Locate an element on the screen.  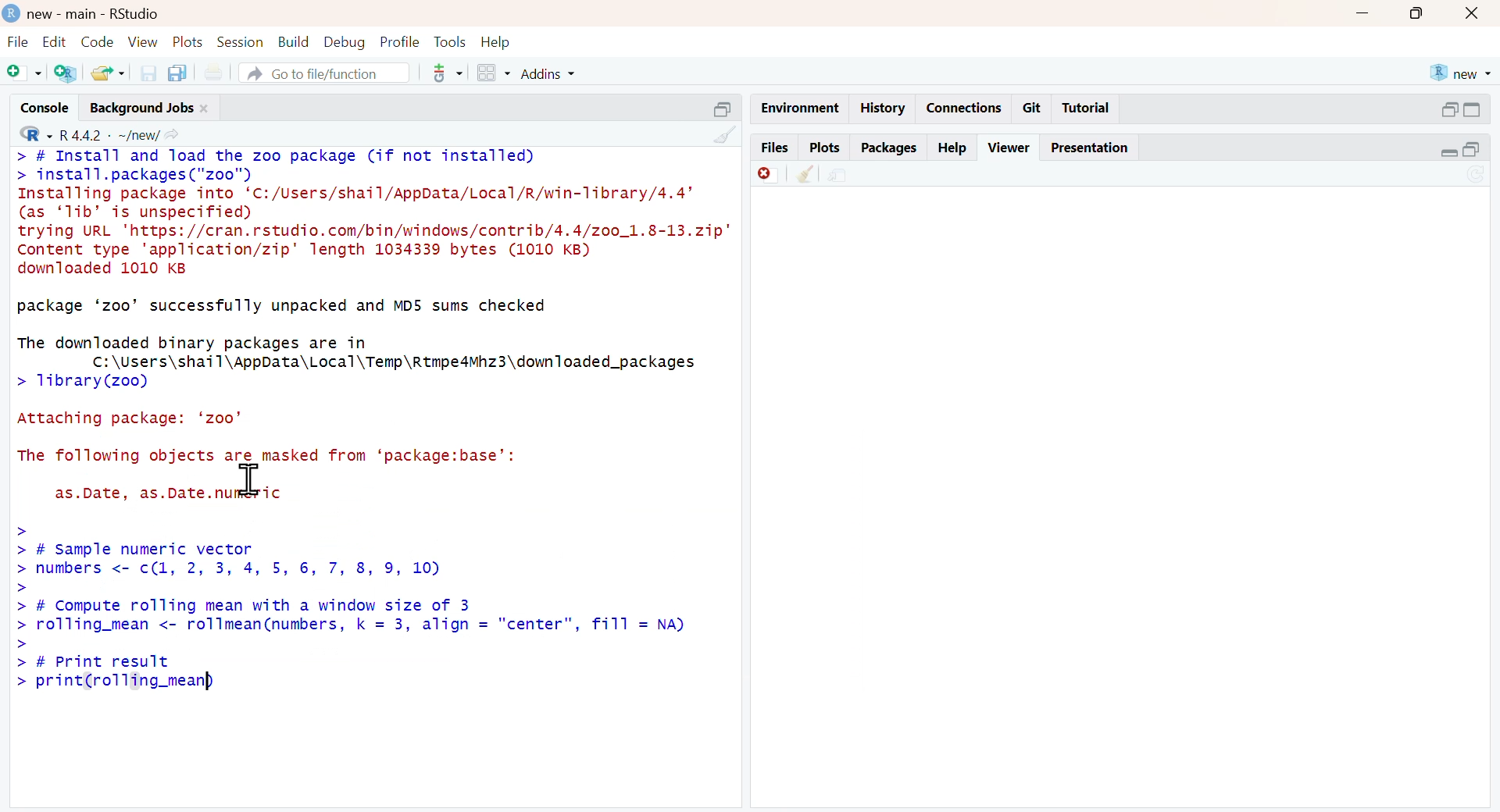
edit is located at coordinates (55, 41).